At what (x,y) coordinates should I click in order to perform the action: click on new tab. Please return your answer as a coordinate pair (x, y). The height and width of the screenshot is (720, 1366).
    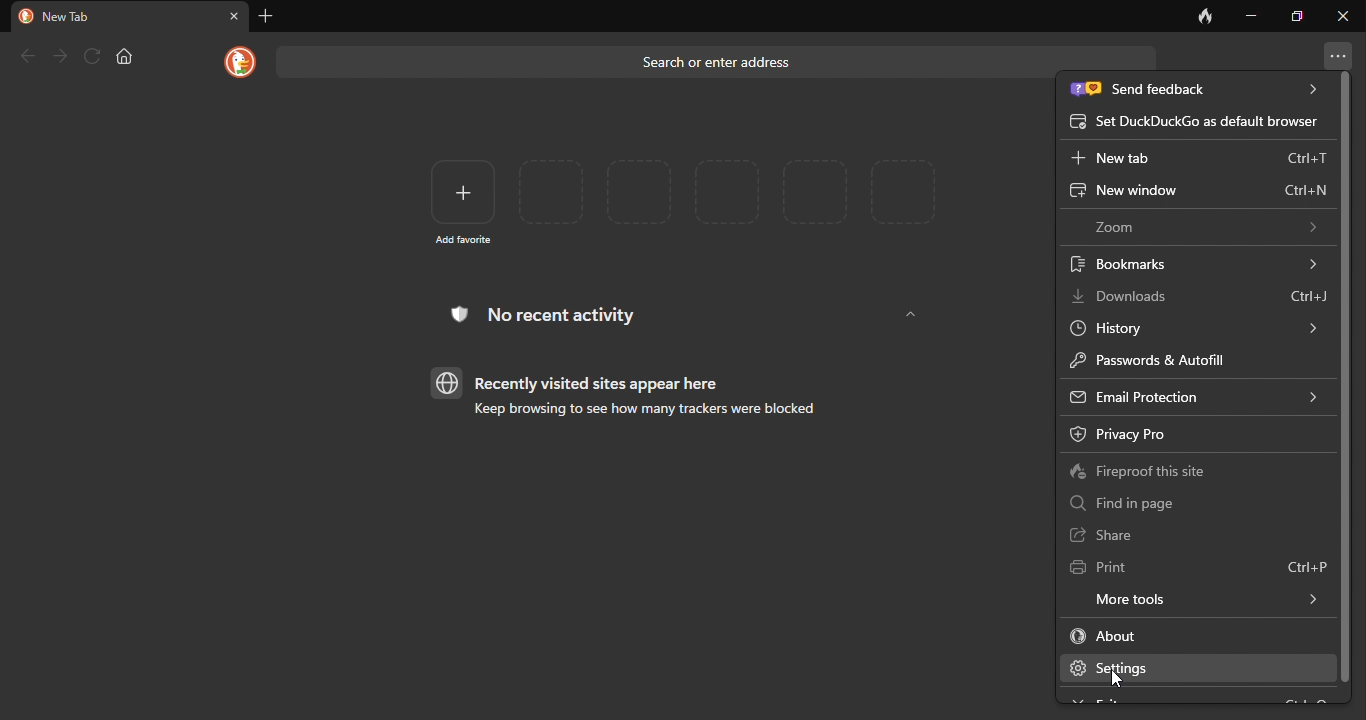
    Looking at the image, I should click on (1196, 159).